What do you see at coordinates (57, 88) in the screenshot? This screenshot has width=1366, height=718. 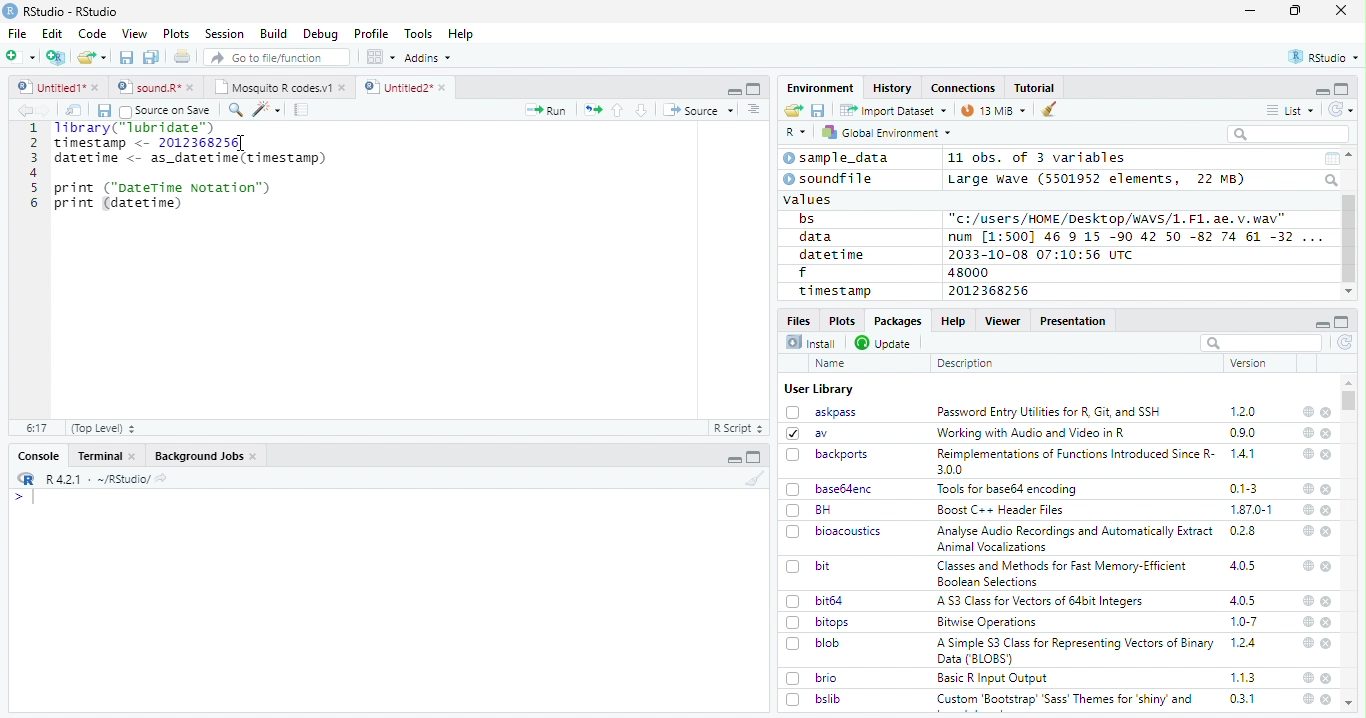 I see `Untitled1*` at bounding box center [57, 88].